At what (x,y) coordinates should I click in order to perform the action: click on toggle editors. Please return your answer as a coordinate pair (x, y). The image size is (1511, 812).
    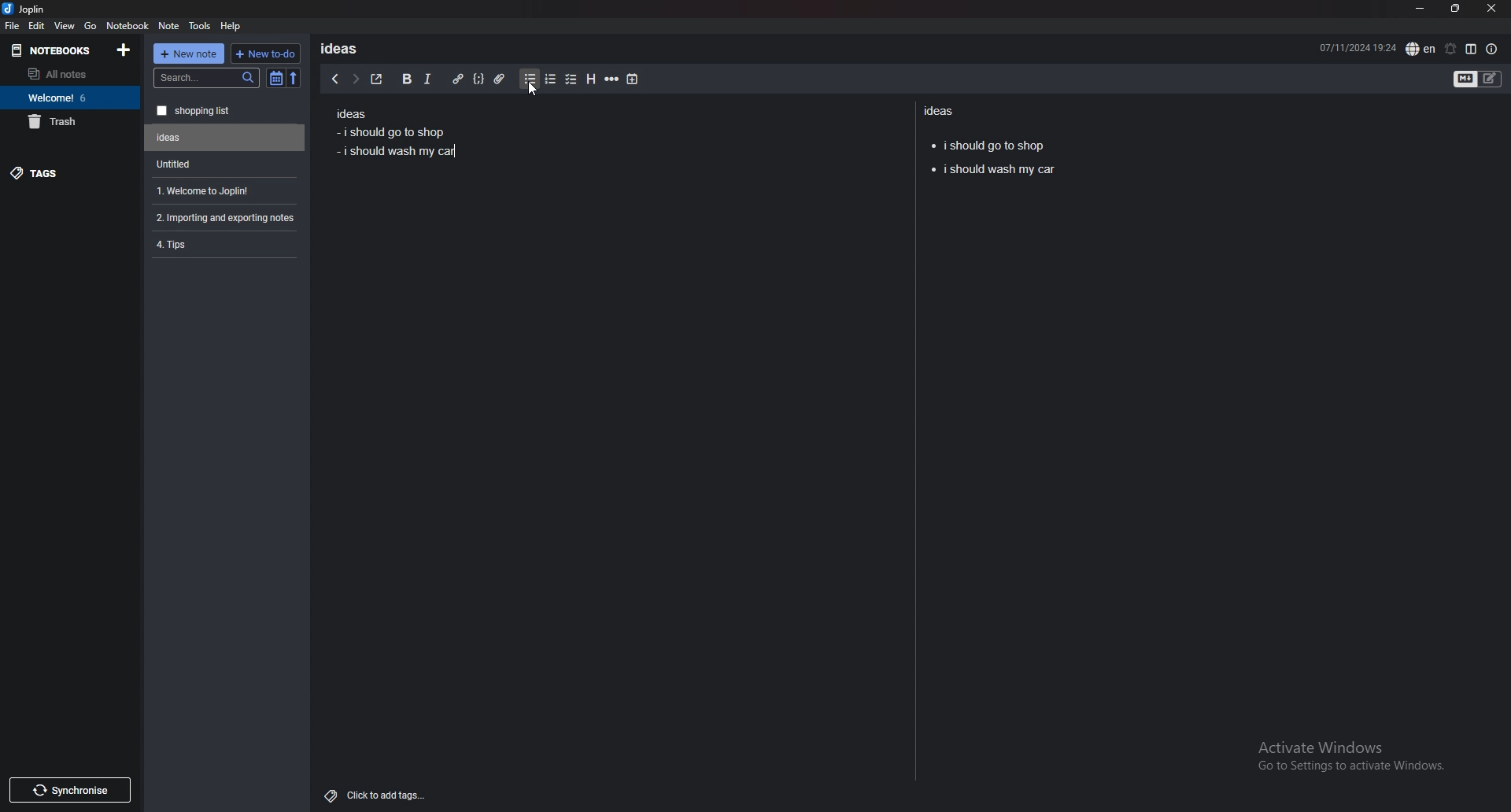
    Looking at the image, I should click on (1478, 80).